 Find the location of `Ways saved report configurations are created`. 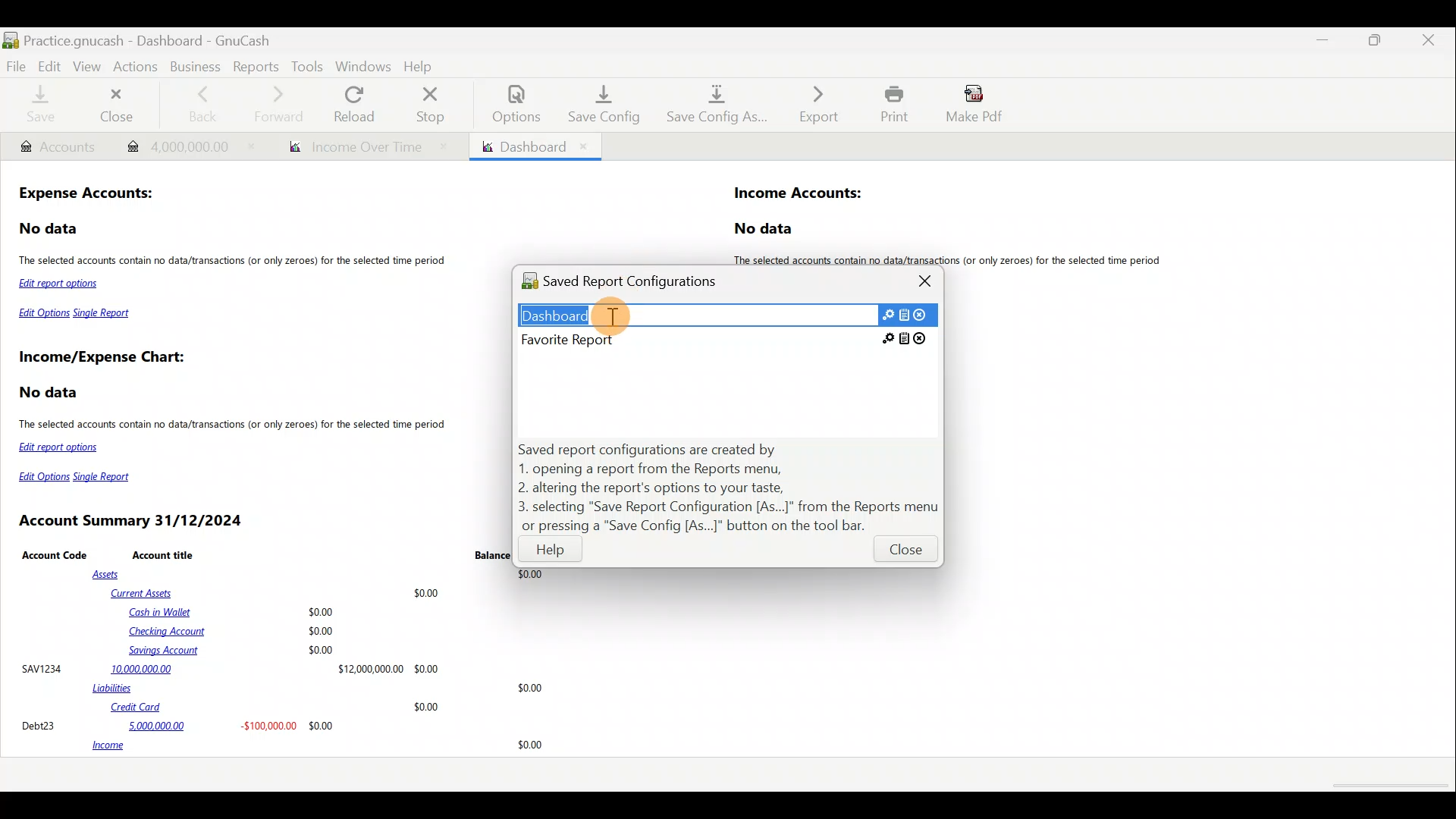

Ways saved report configurations are created is located at coordinates (730, 488).